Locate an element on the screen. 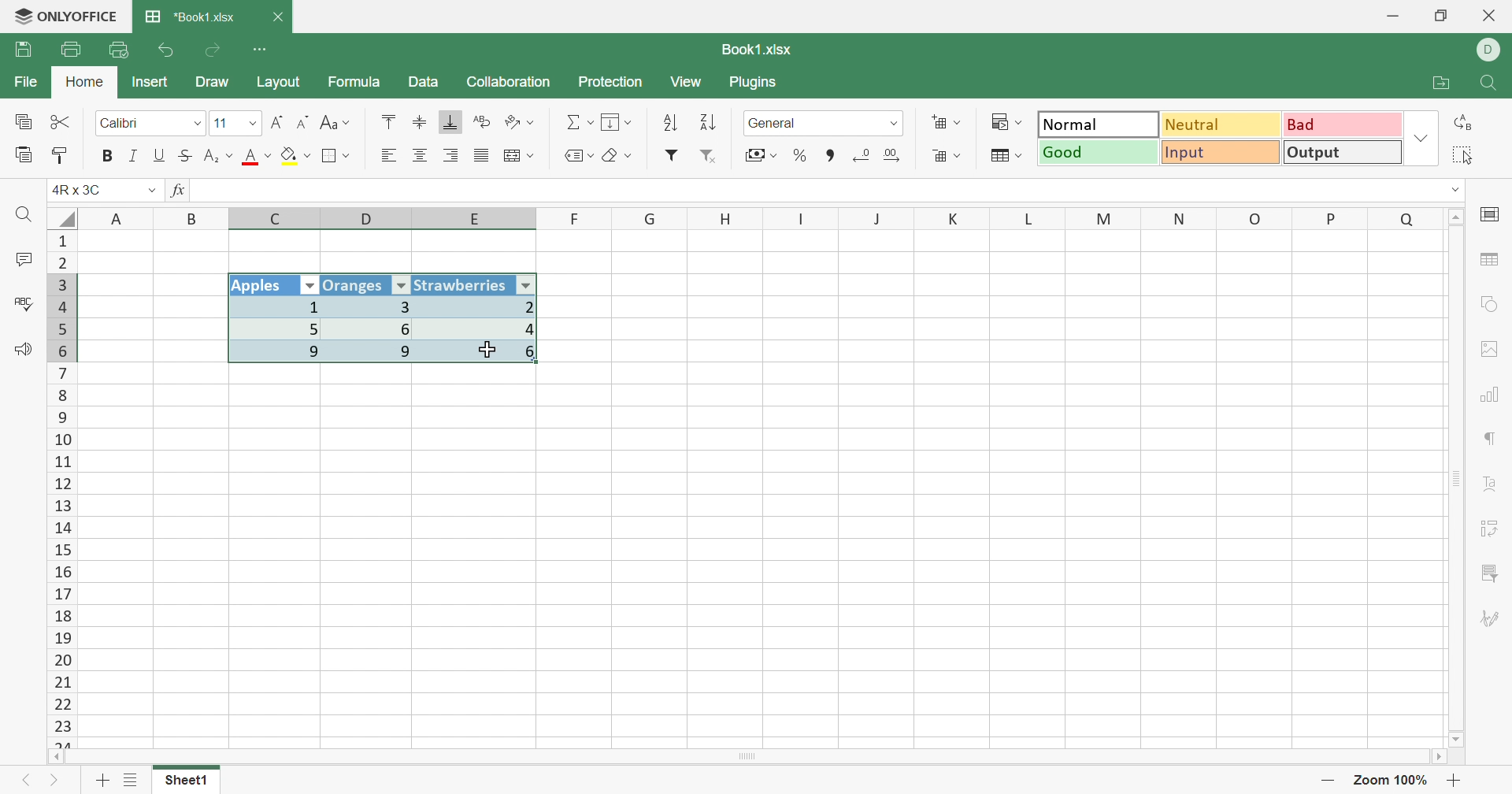 This screenshot has height=794, width=1512. Bold is located at coordinates (108, 155).